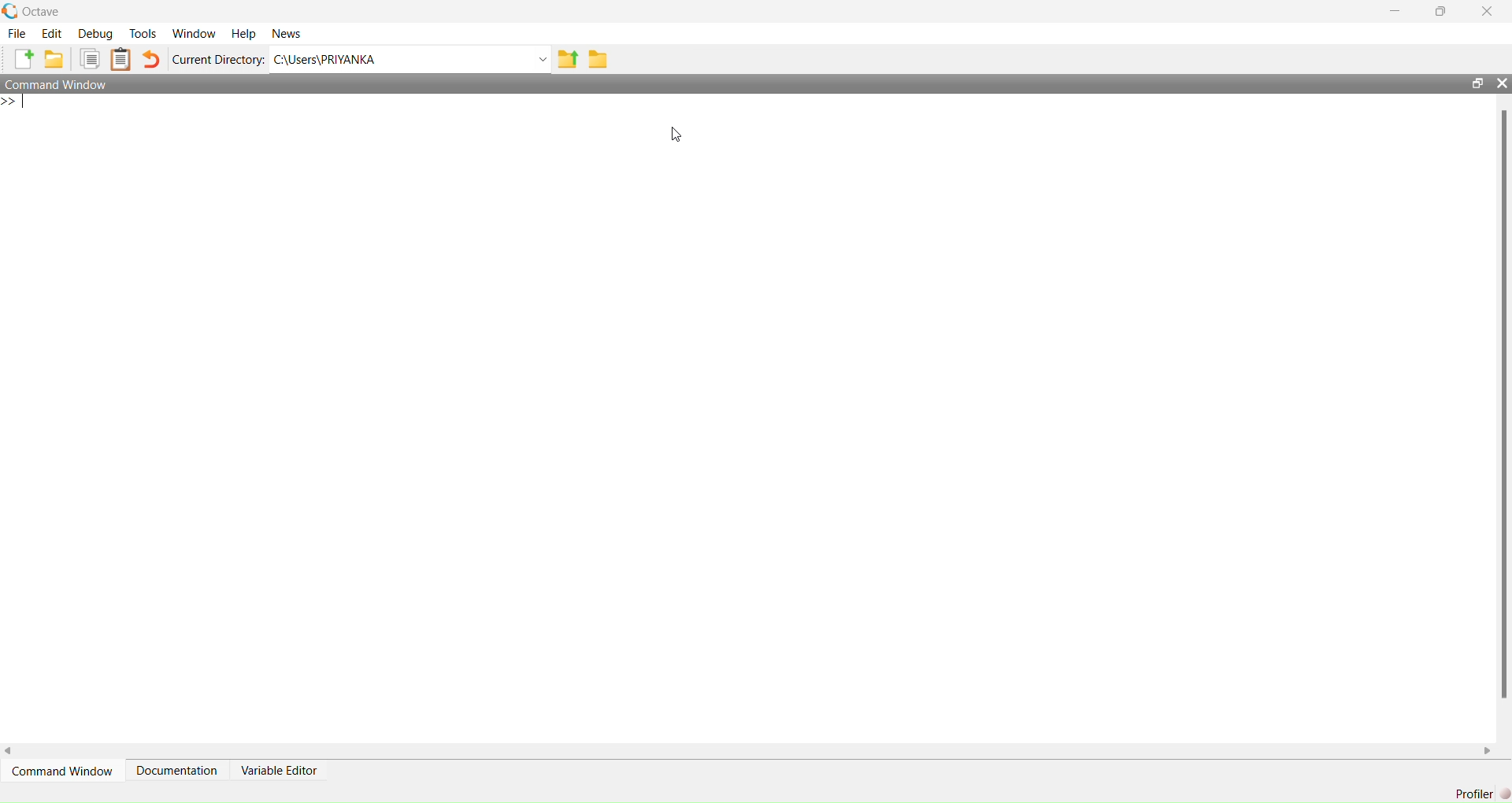 Image resolution: width=1512 pixels, height=803 pixels. I want to click on folder, so click(600, 60).